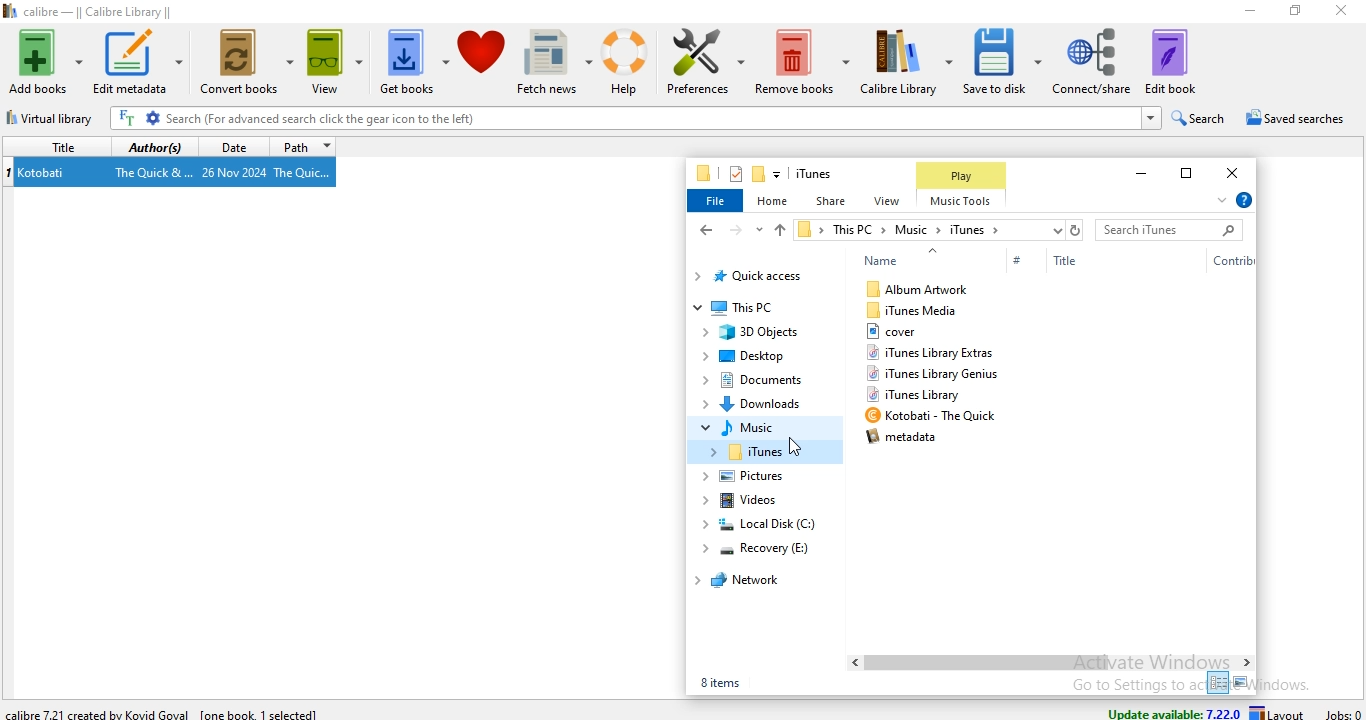 Image resolution: width=1366 pixels, height=720 pixels. What do you see at coordinates (778, 174) in the screenshot?
I see `customise quick access toolbar` at bounding box center [778, 174].